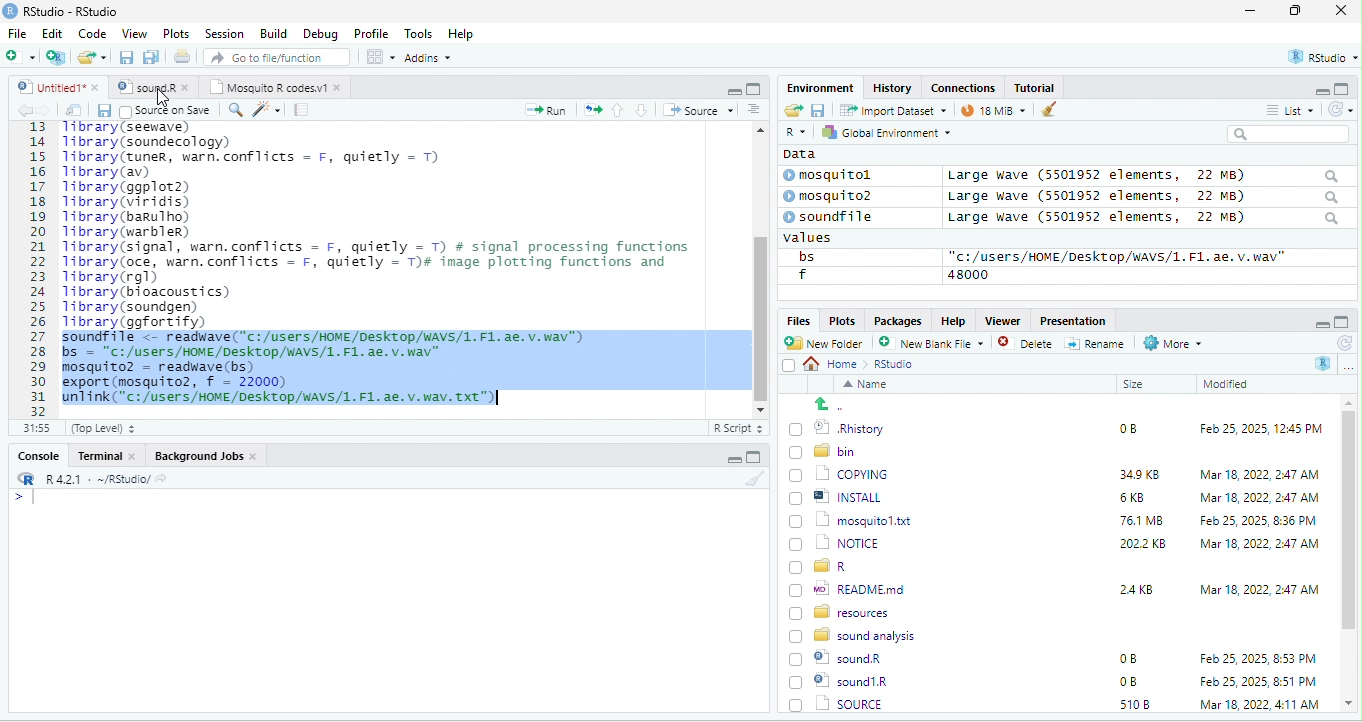 The height and width of the screenshot is (722, 1362). Describe the element at coordinates (969, 274) in the screenshot. I see `48000` at that location.